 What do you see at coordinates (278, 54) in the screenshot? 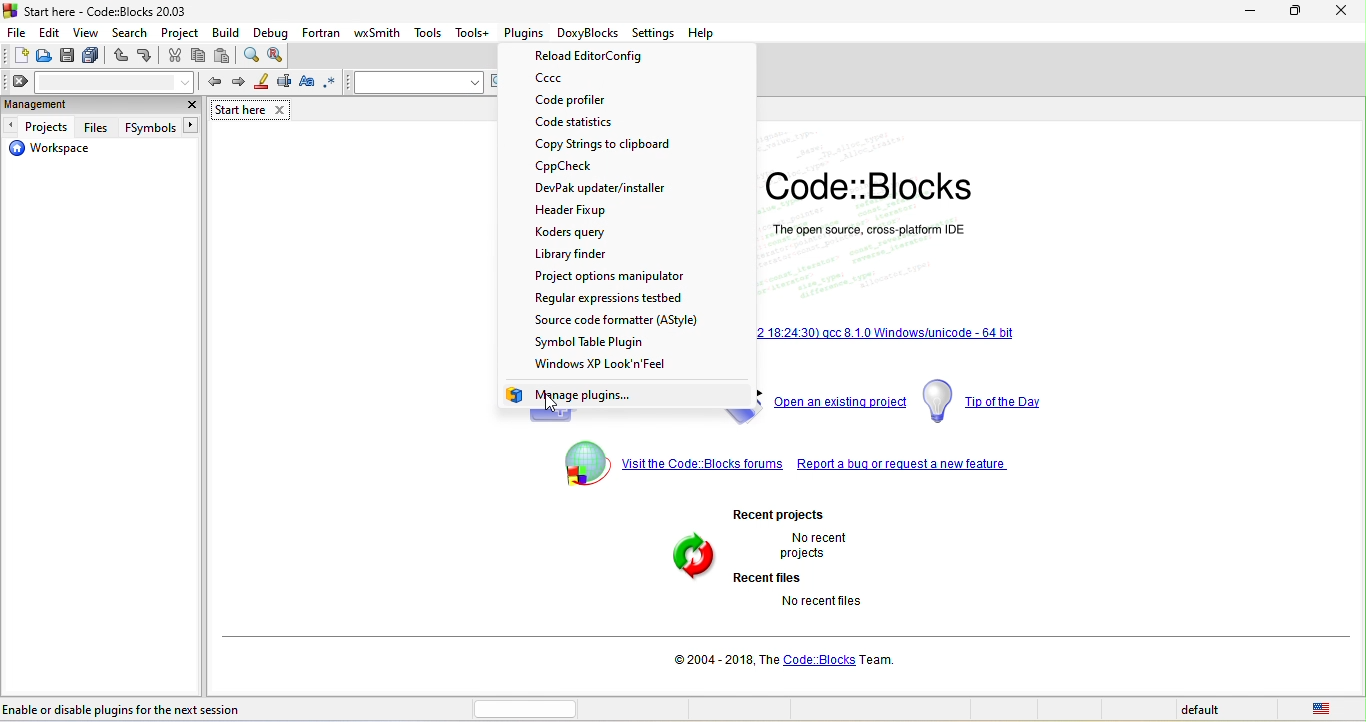
I see `replace` at bounding box center [278, 54].